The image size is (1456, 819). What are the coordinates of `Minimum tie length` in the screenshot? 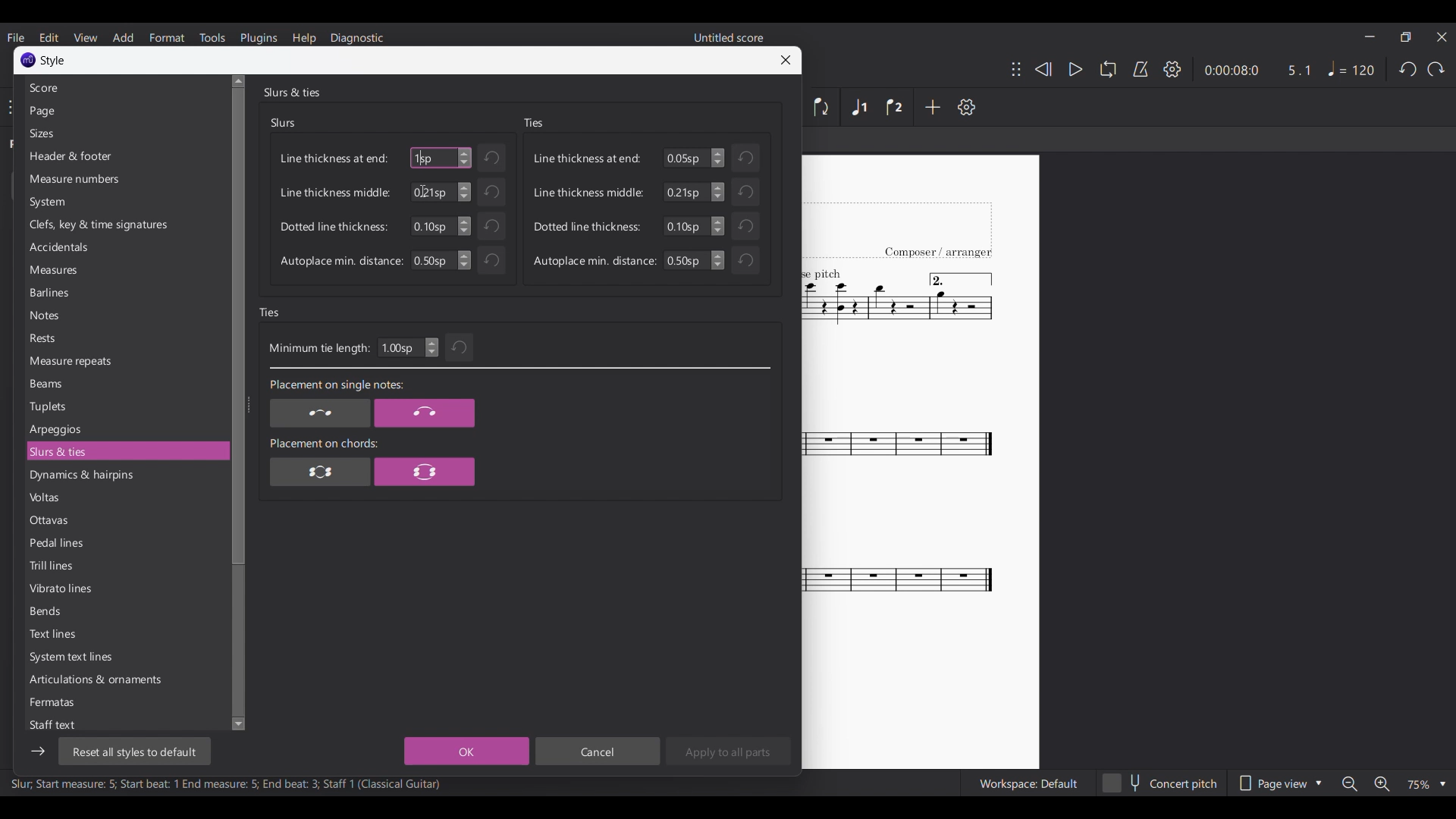 It's located at (318, 349).